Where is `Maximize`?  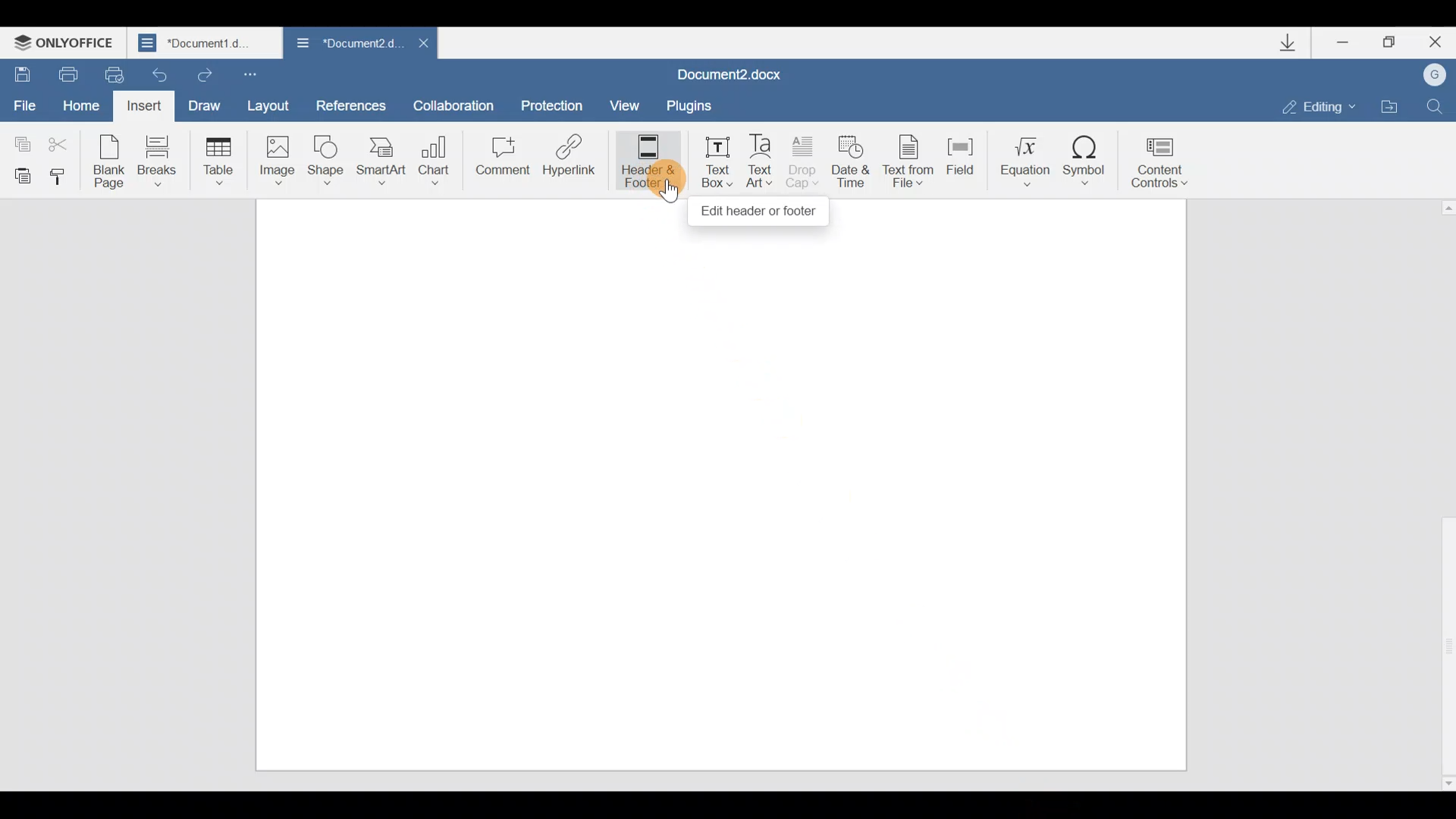 Maximize is located at coordinates (1387, 40).